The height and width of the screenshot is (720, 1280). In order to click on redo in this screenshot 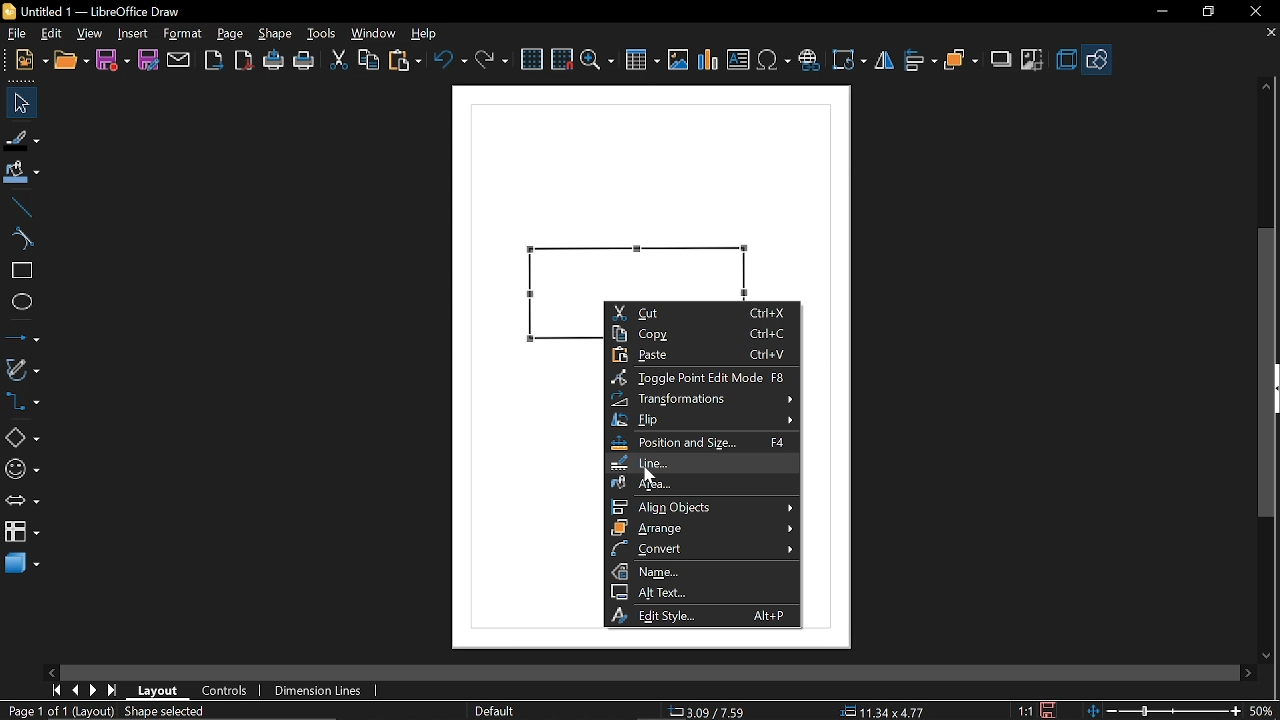, I will do `click(491, 62)`.